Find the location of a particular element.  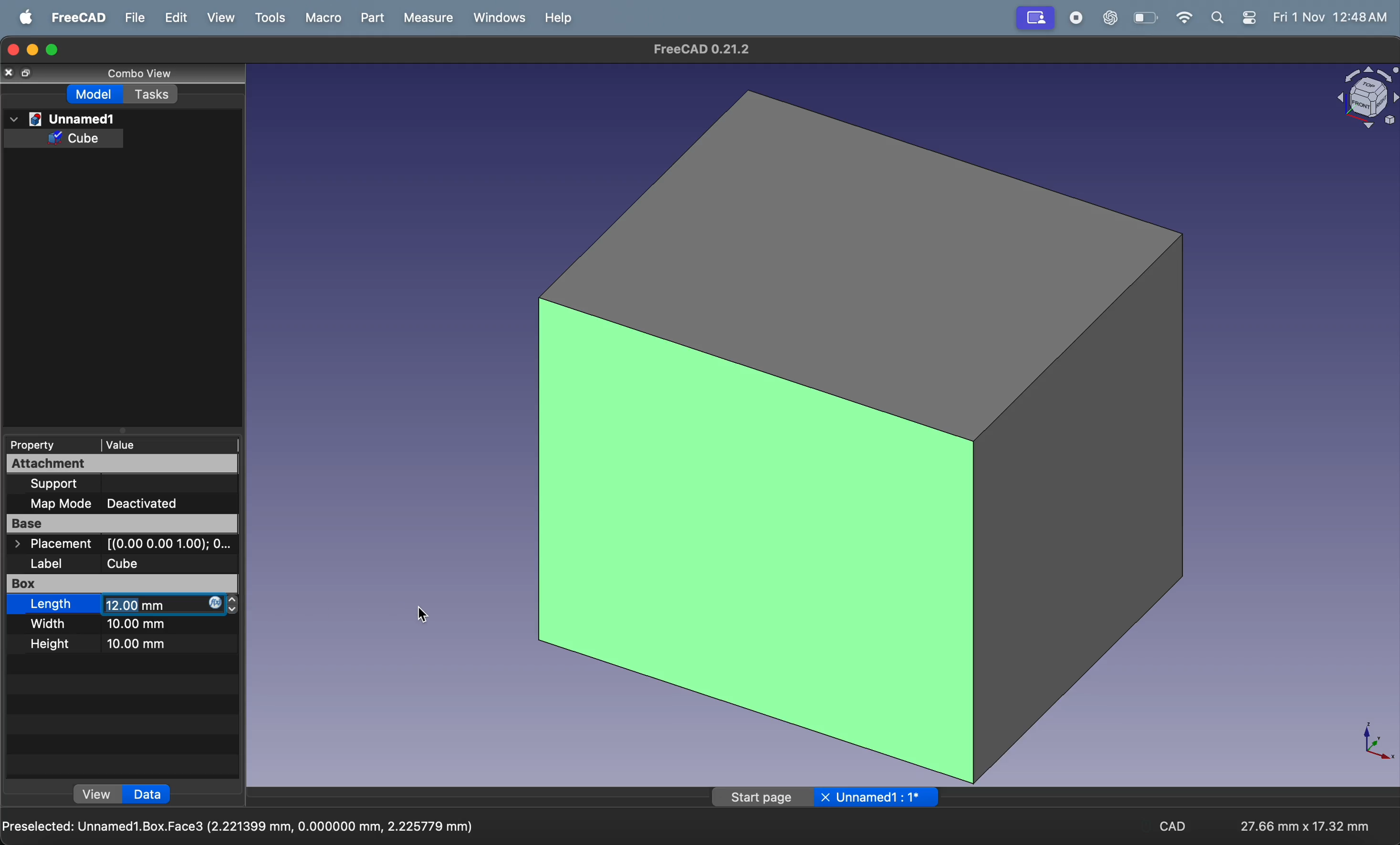

part is located at coordinates (367, 17).